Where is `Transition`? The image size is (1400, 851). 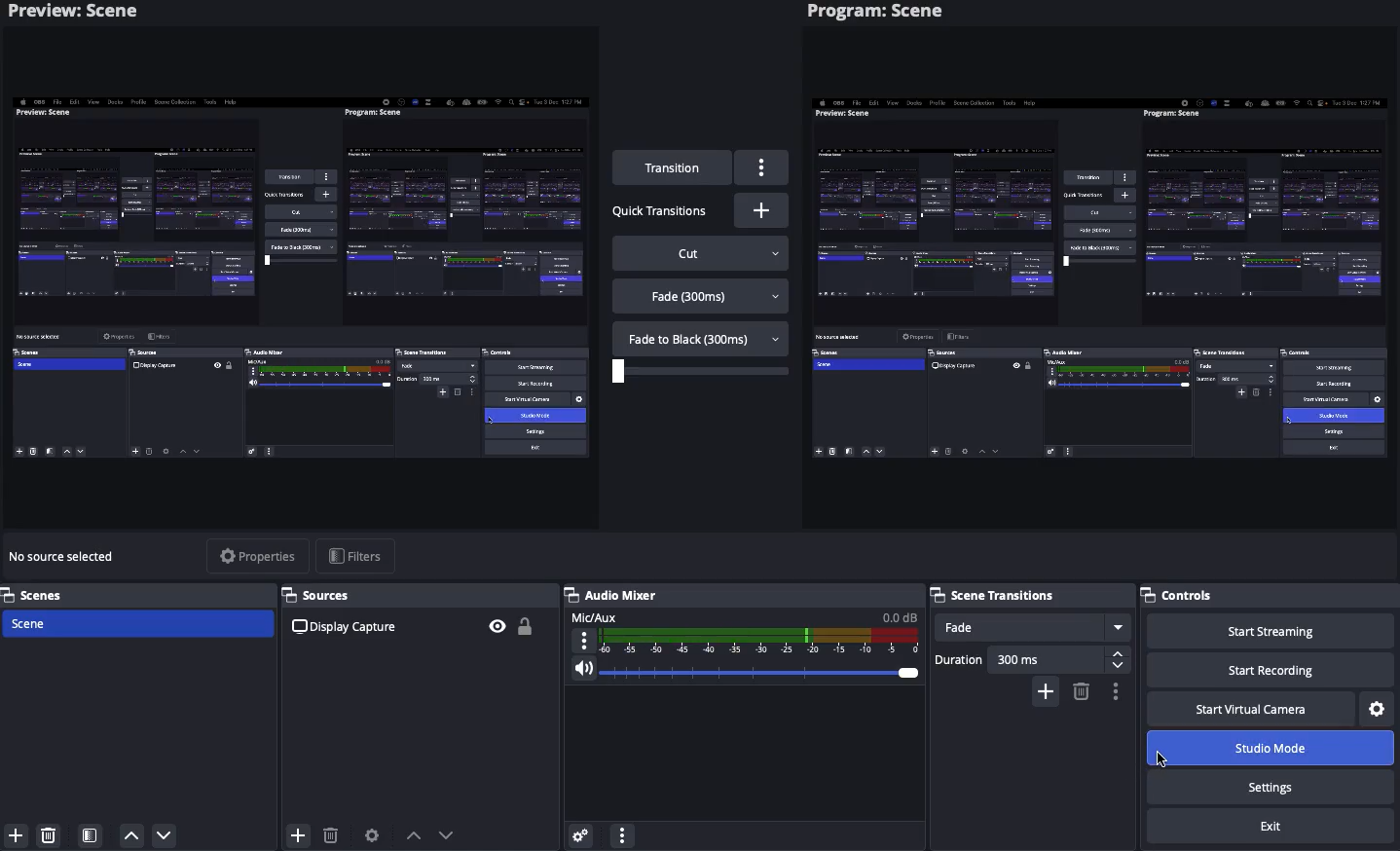 Transition is located at coordinates (674, 168).